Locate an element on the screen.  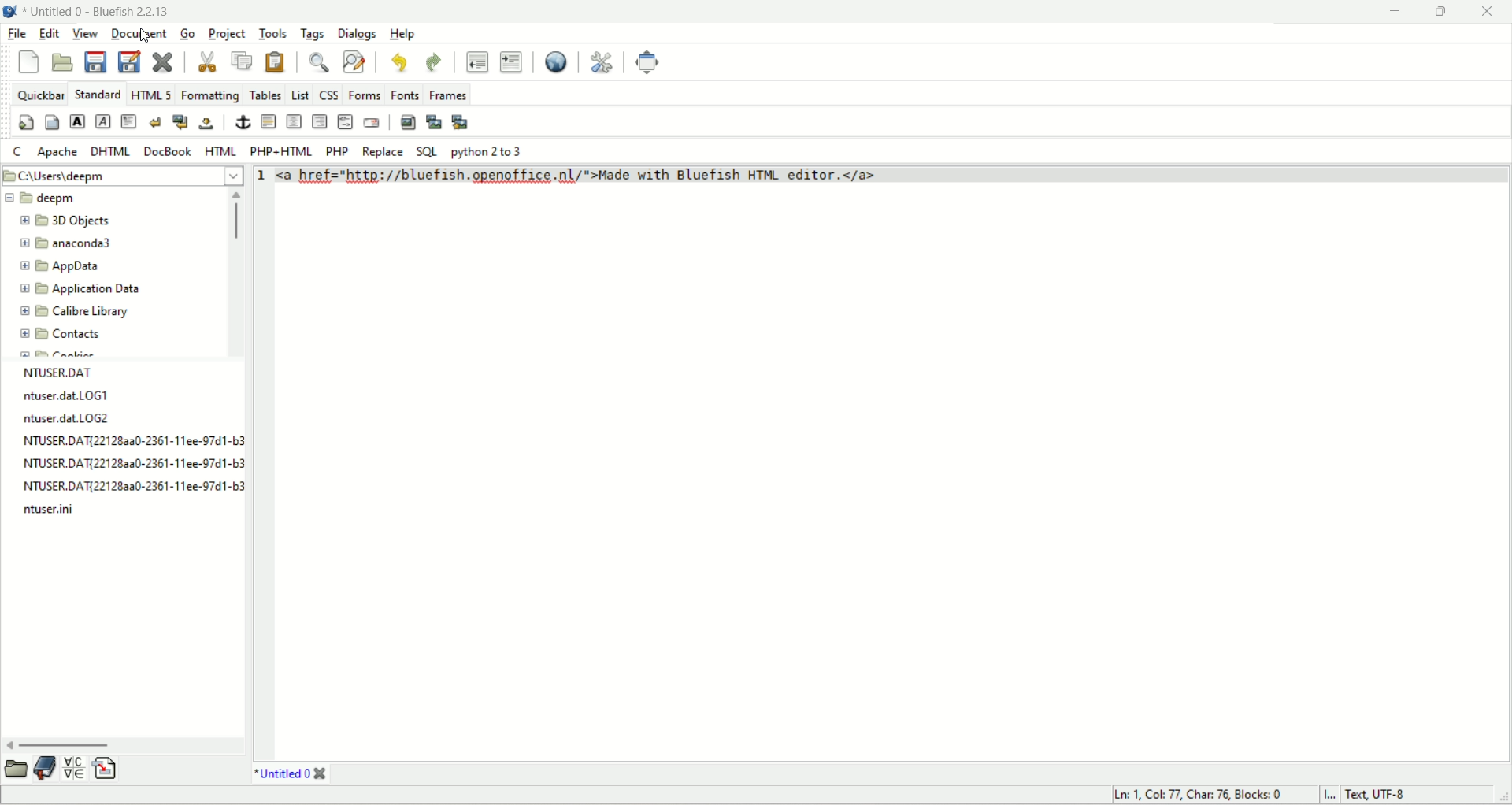
frames is located at coordinates (447, 95).